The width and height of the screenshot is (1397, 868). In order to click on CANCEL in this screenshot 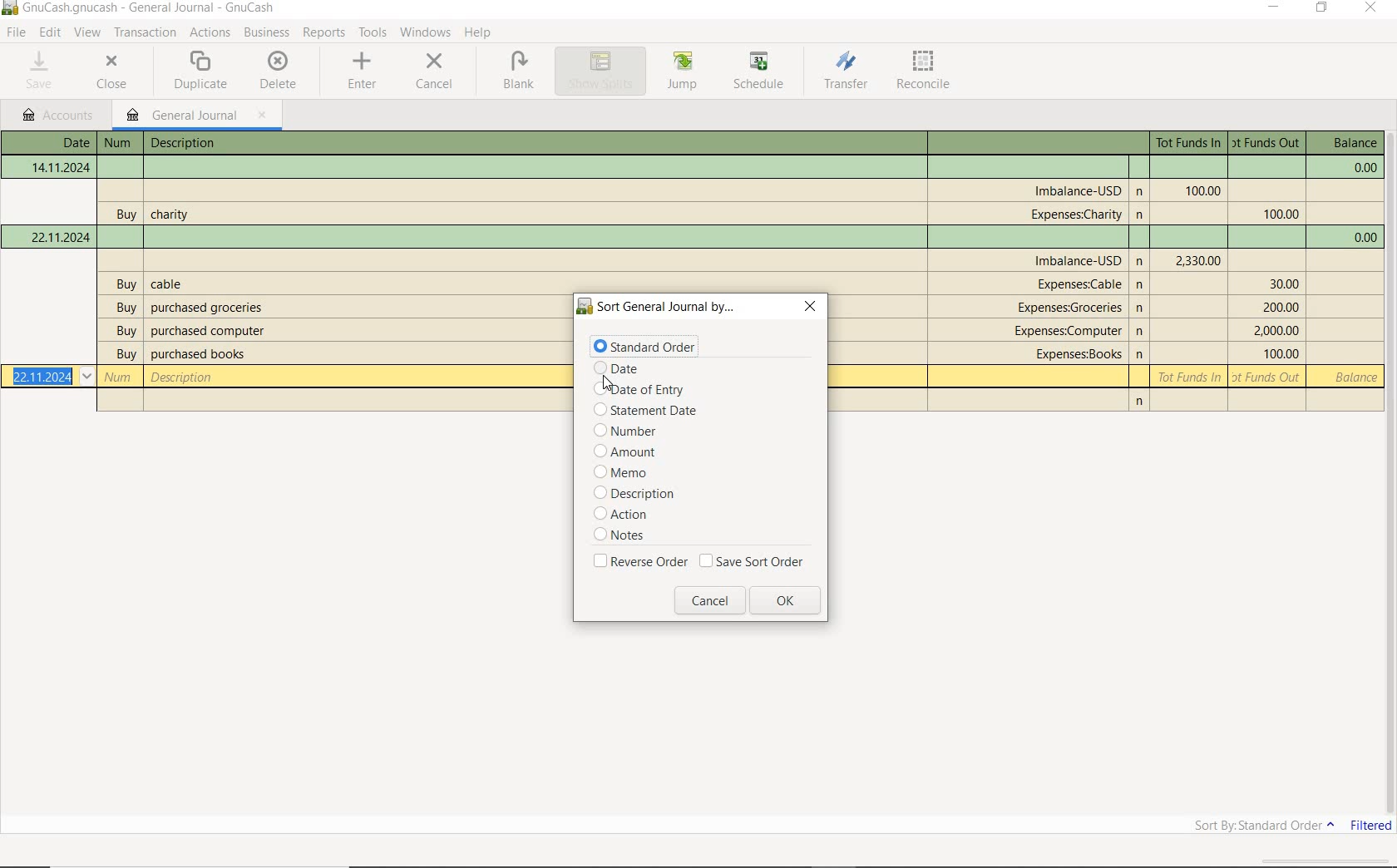, I will do `click(435, 70)`.